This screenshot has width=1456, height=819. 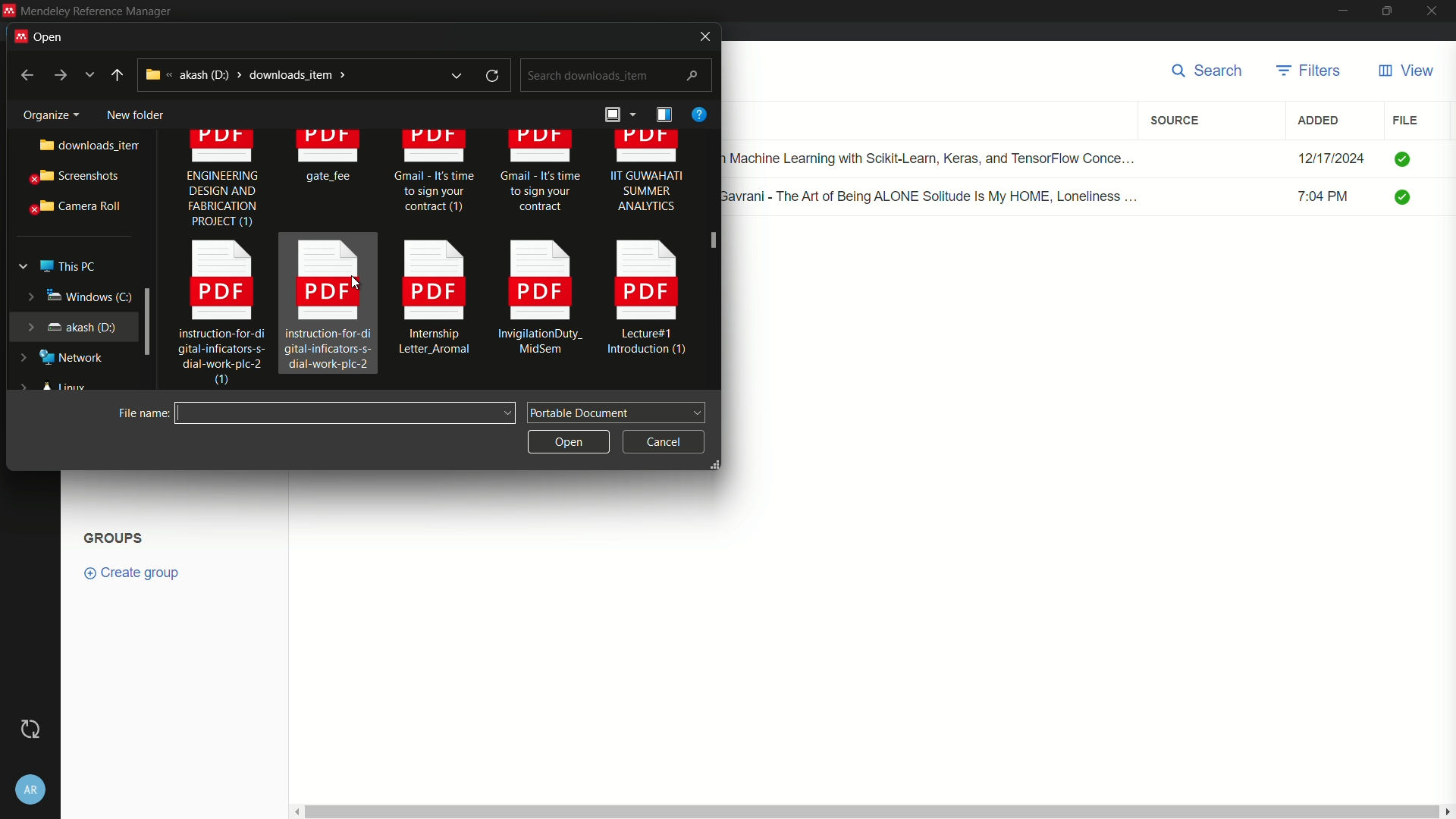 What do you see at coordinates (140, 413) in the screenshot?
I see `file name: ` at bounding box center [140, 413].